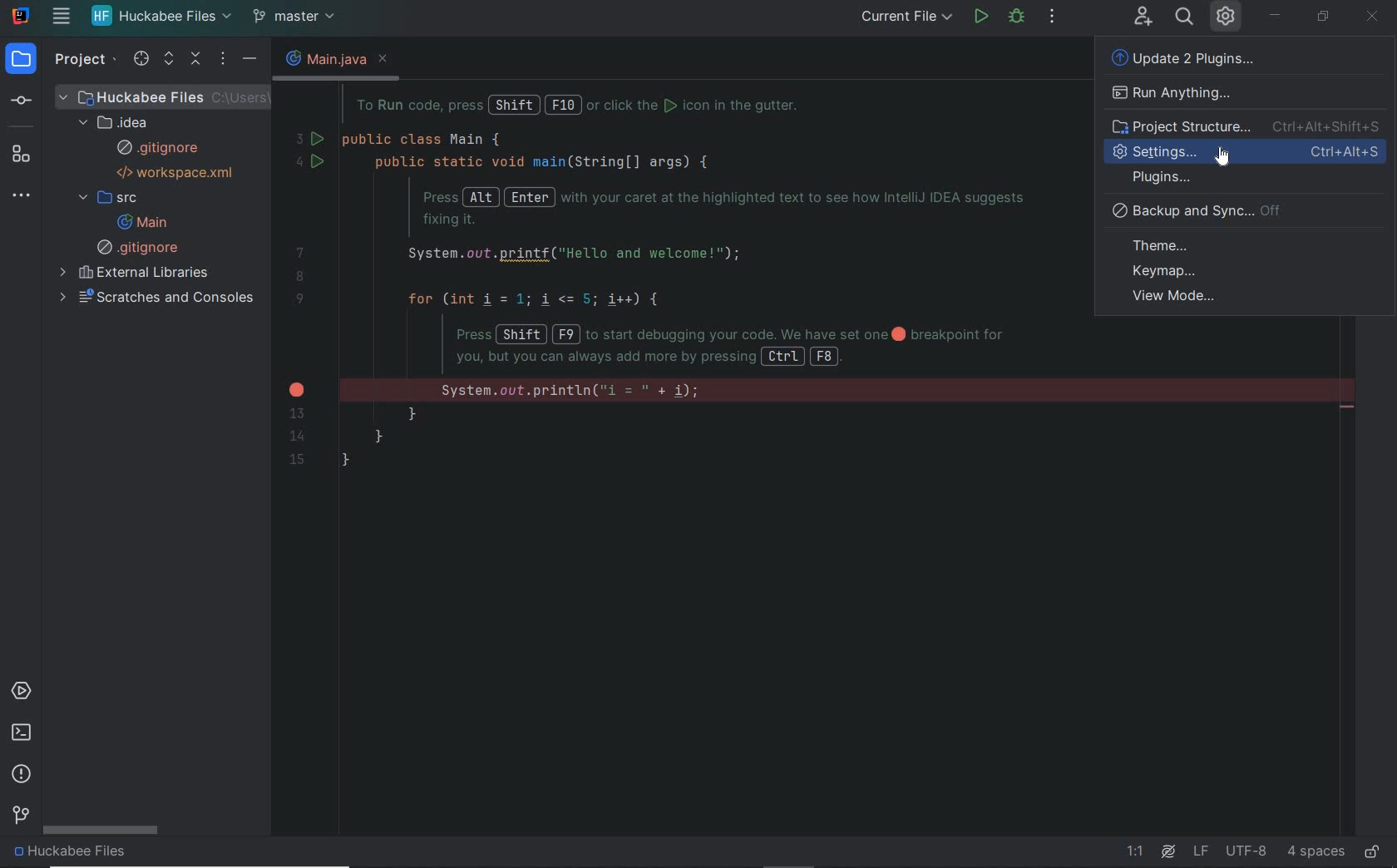 The height and width of the screenshot is (868, 1397). What do you see at coordinates (1185, 18) in the screenshot?
I see `search everywhere` at bounding box center [1185, 18].